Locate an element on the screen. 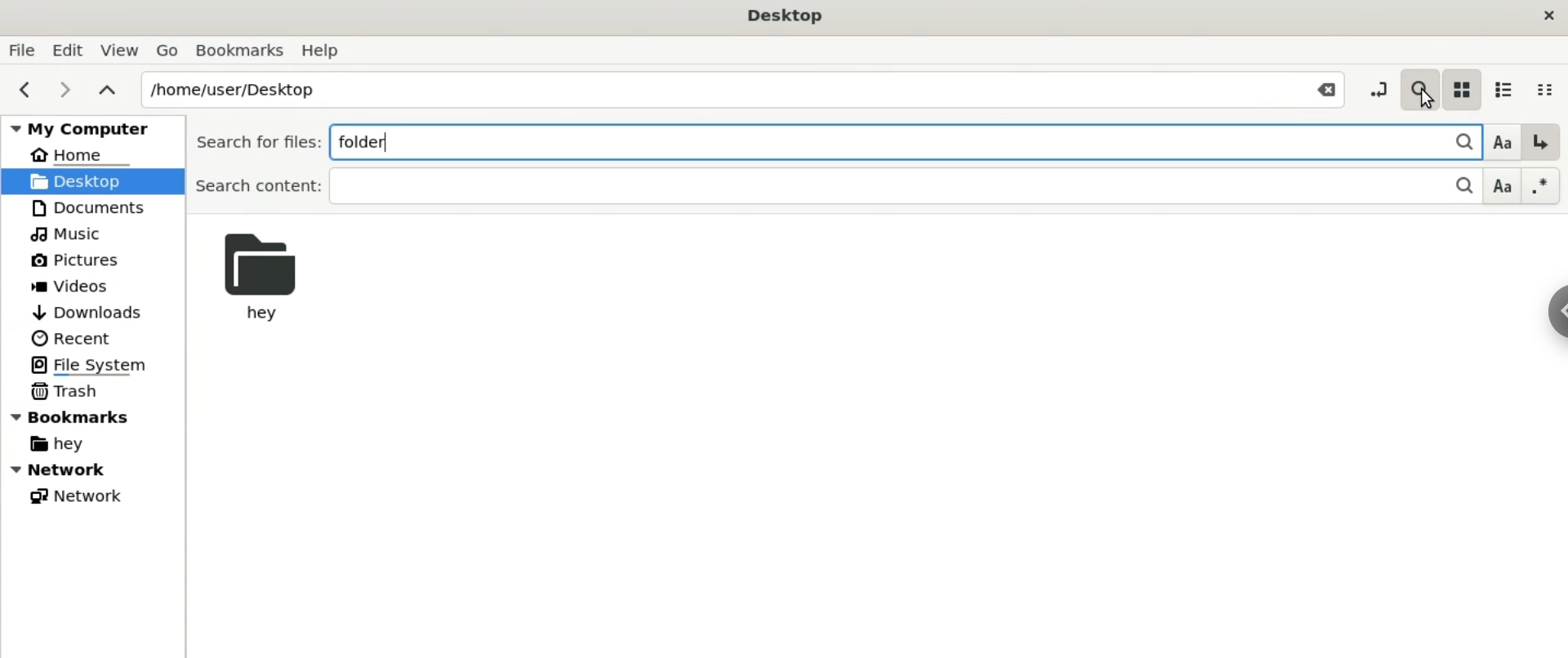  folders is located at coordinates (870, 140).